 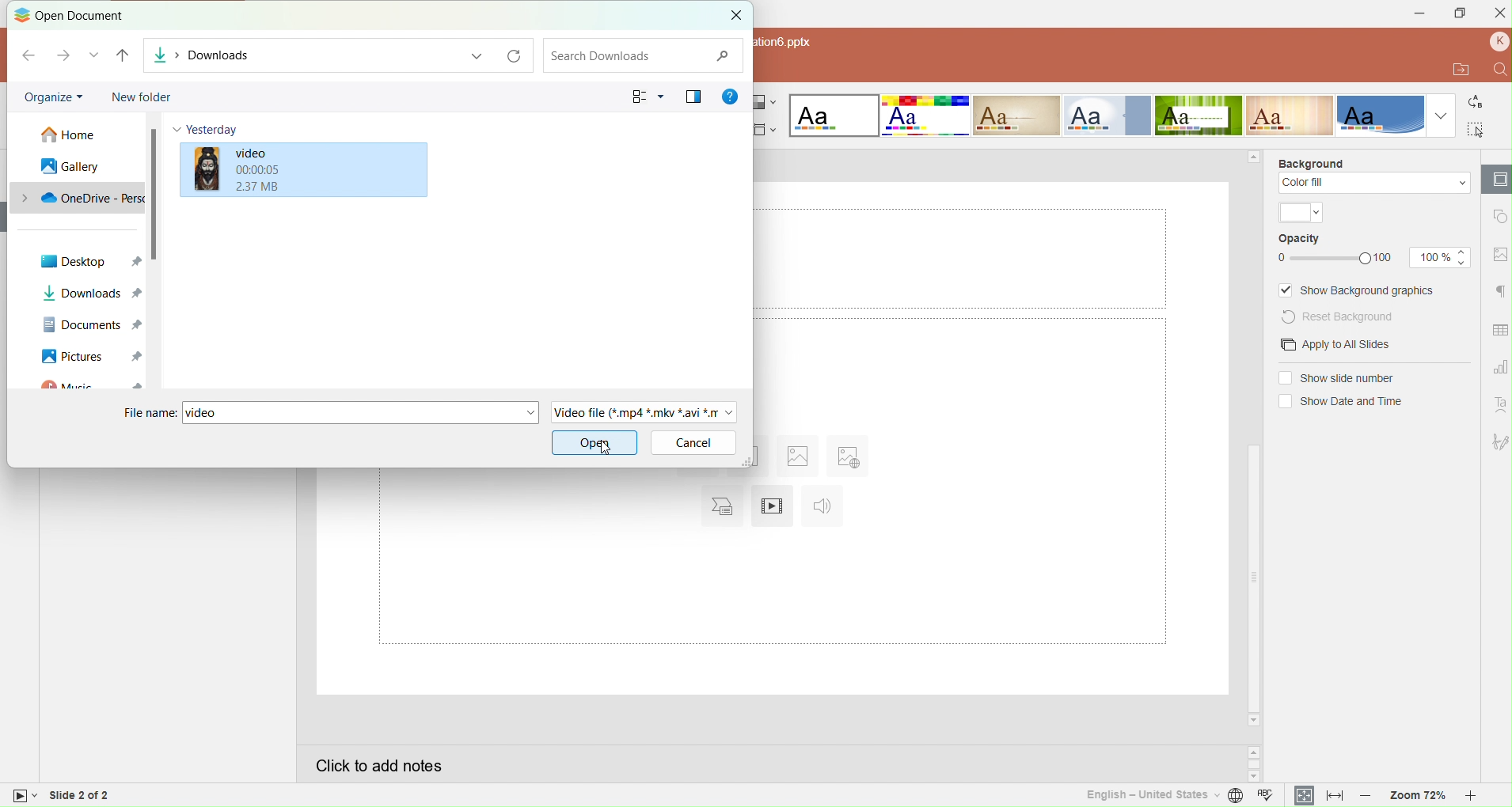 I want to click on Get help, so click(x=731, y=97).